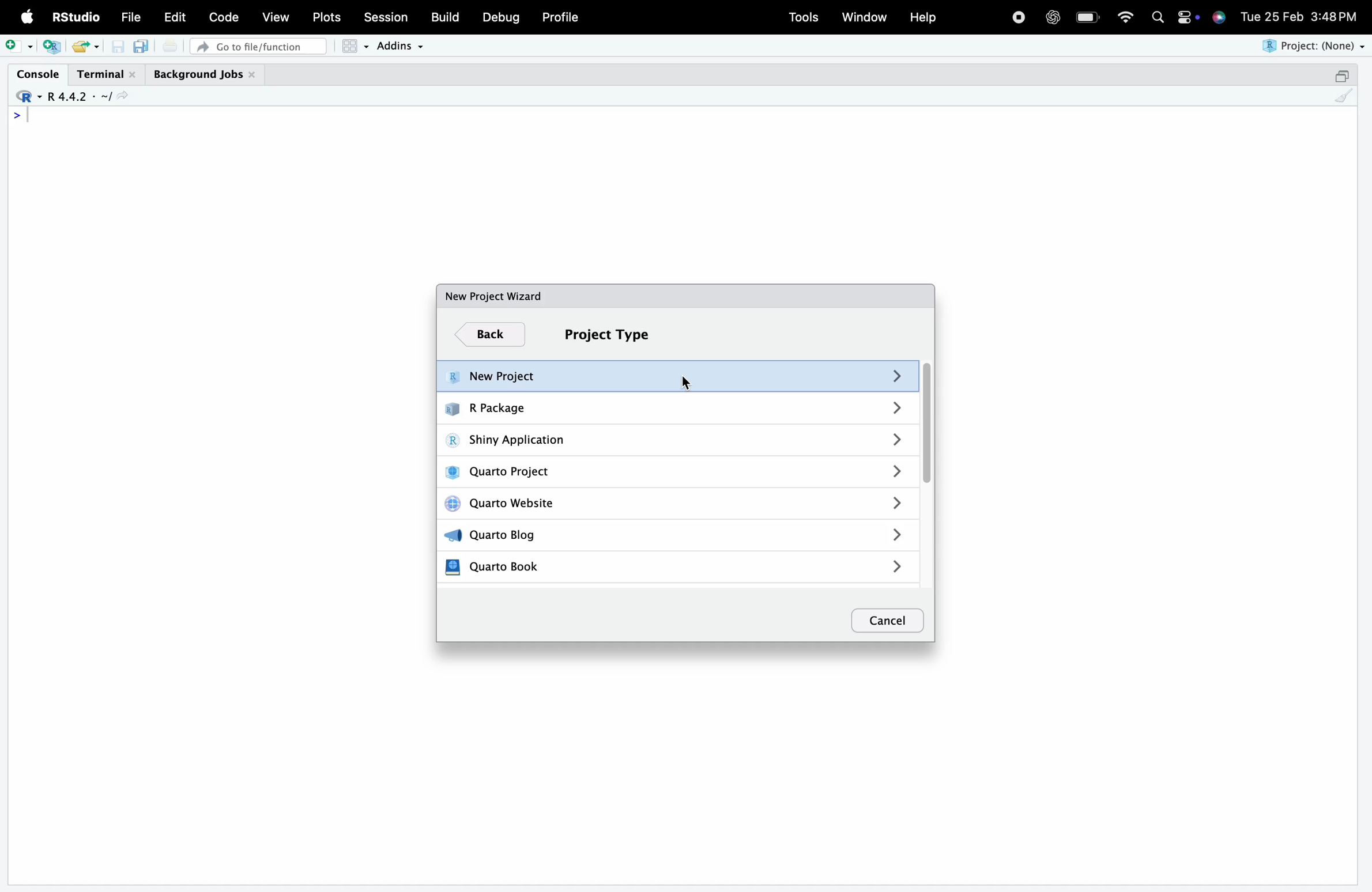 The image size is (1372, 892). I want to click on clear console, so click(1344, 96).